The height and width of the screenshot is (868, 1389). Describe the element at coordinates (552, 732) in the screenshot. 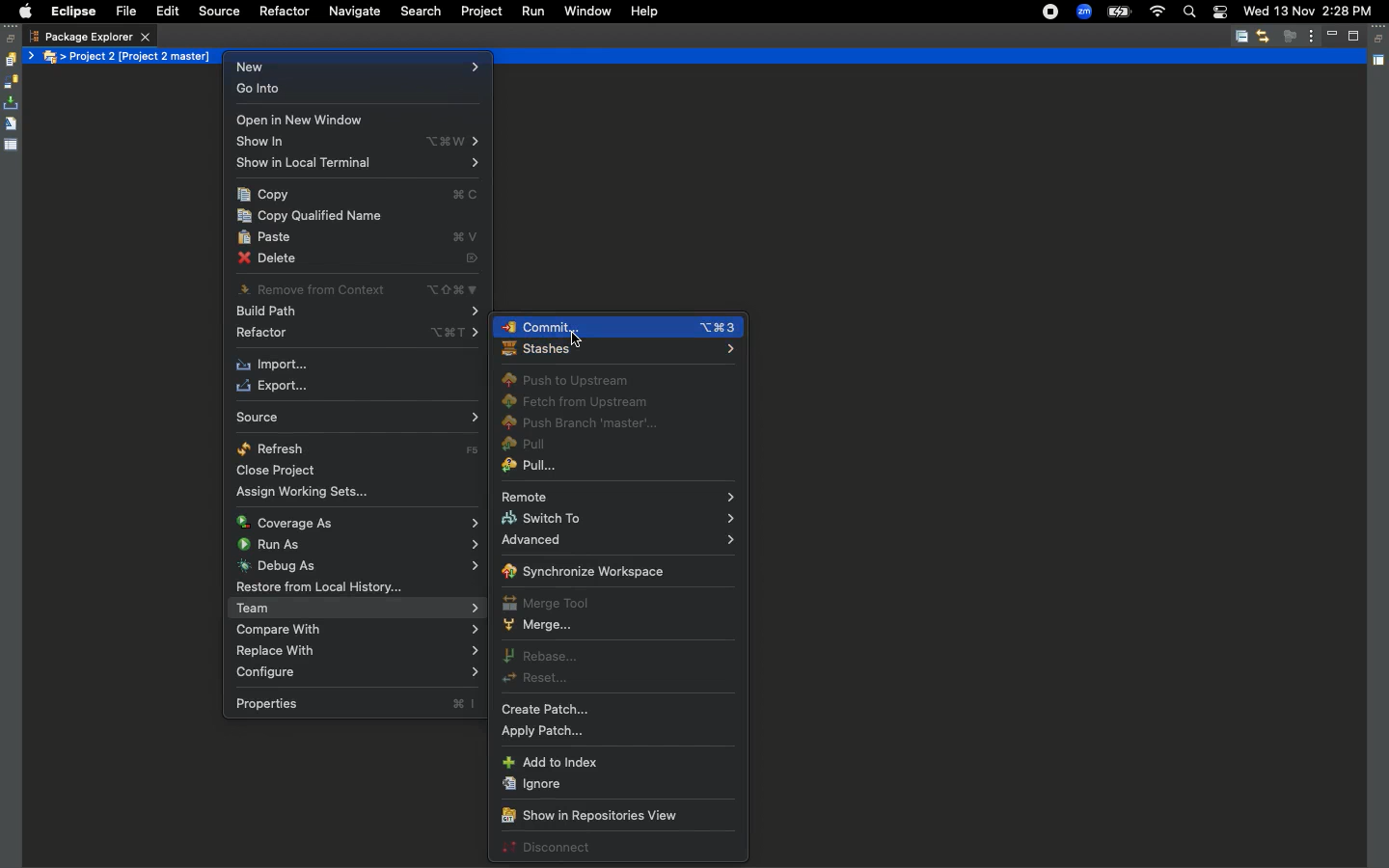

I see `Apply patch` at that location.